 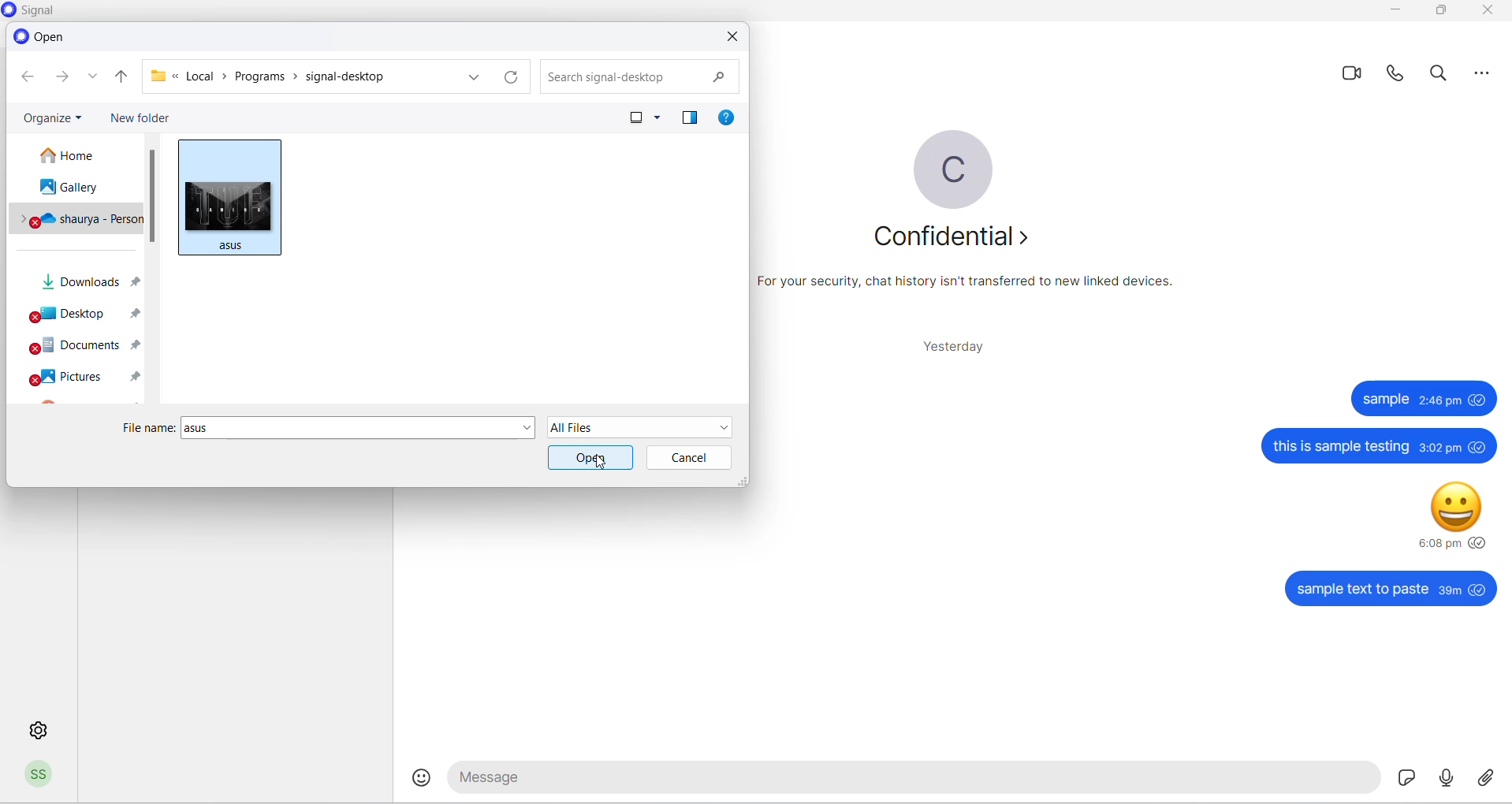 What do you see at coordinates (1442, 400) in the screenshot?
I see `2:46 pm` at bounding box center [1442, 400].